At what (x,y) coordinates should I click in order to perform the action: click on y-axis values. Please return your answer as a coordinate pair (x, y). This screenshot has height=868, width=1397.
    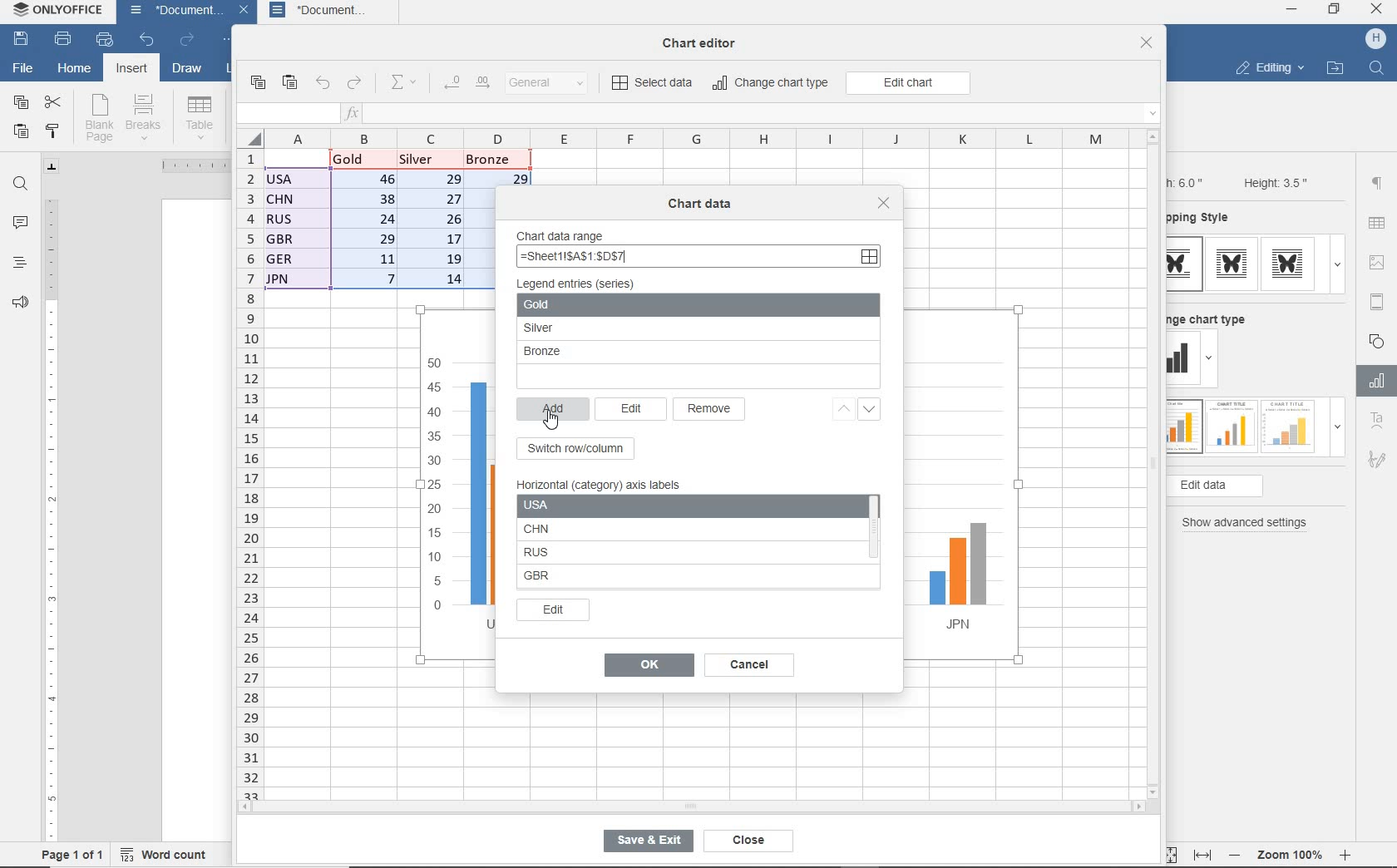
    Looking at the image, I should click on (434, 489).